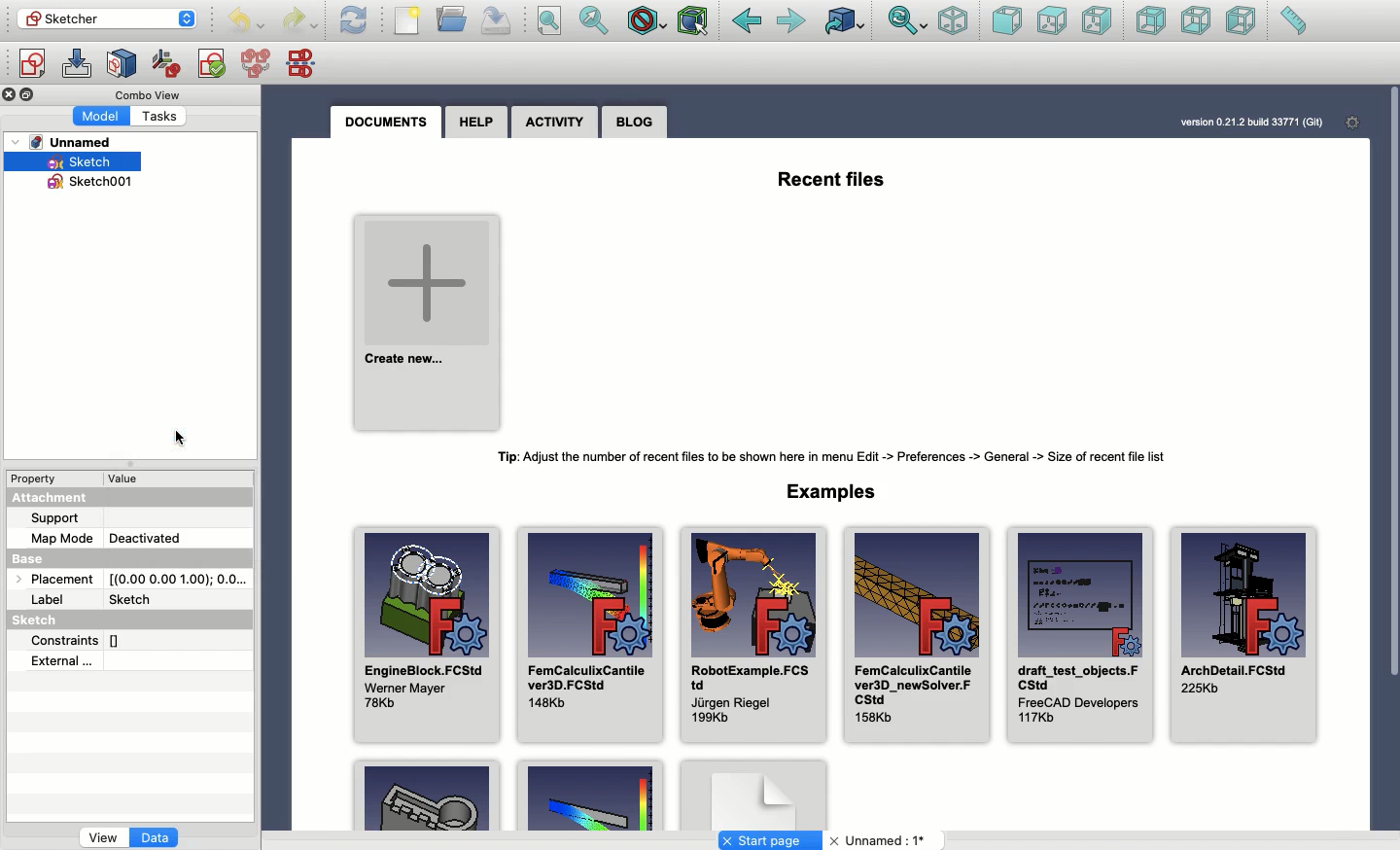 The height and width of the screenshot is (850, 1400). I want to click on Edit sketch, so click(77, 64).